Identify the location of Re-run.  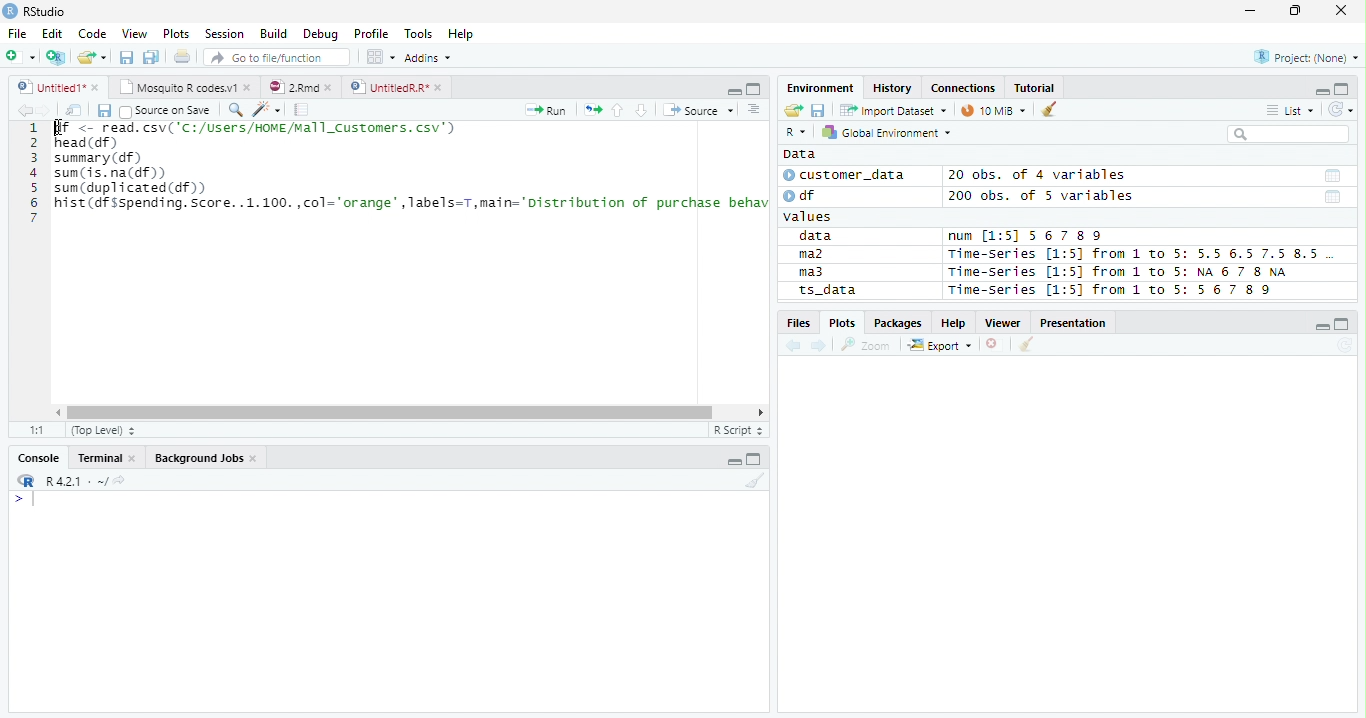
(592, 111).